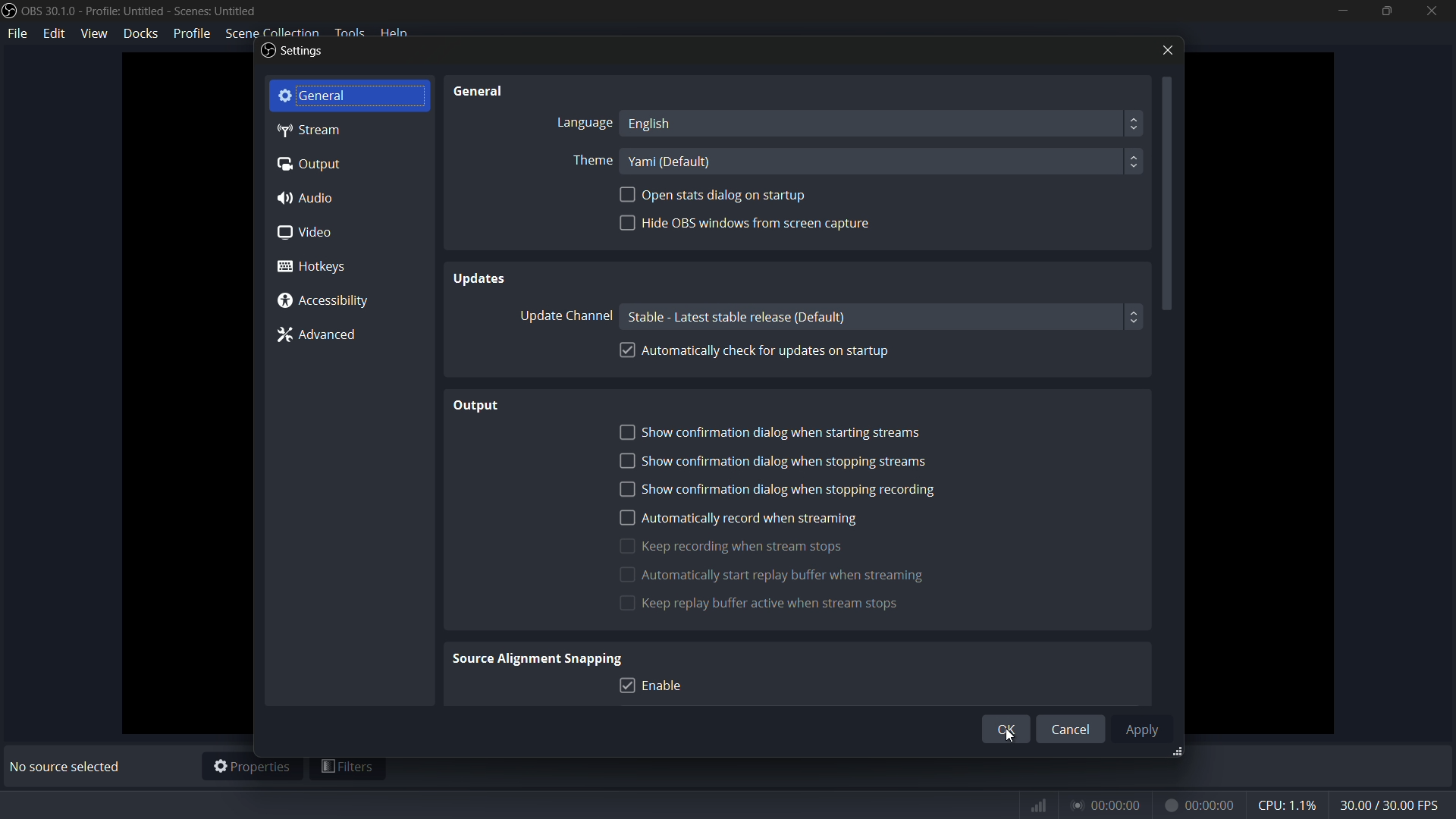 The height and width of the screenshot is (819, 1456). I want to click on Ok, so click(1002, 729).